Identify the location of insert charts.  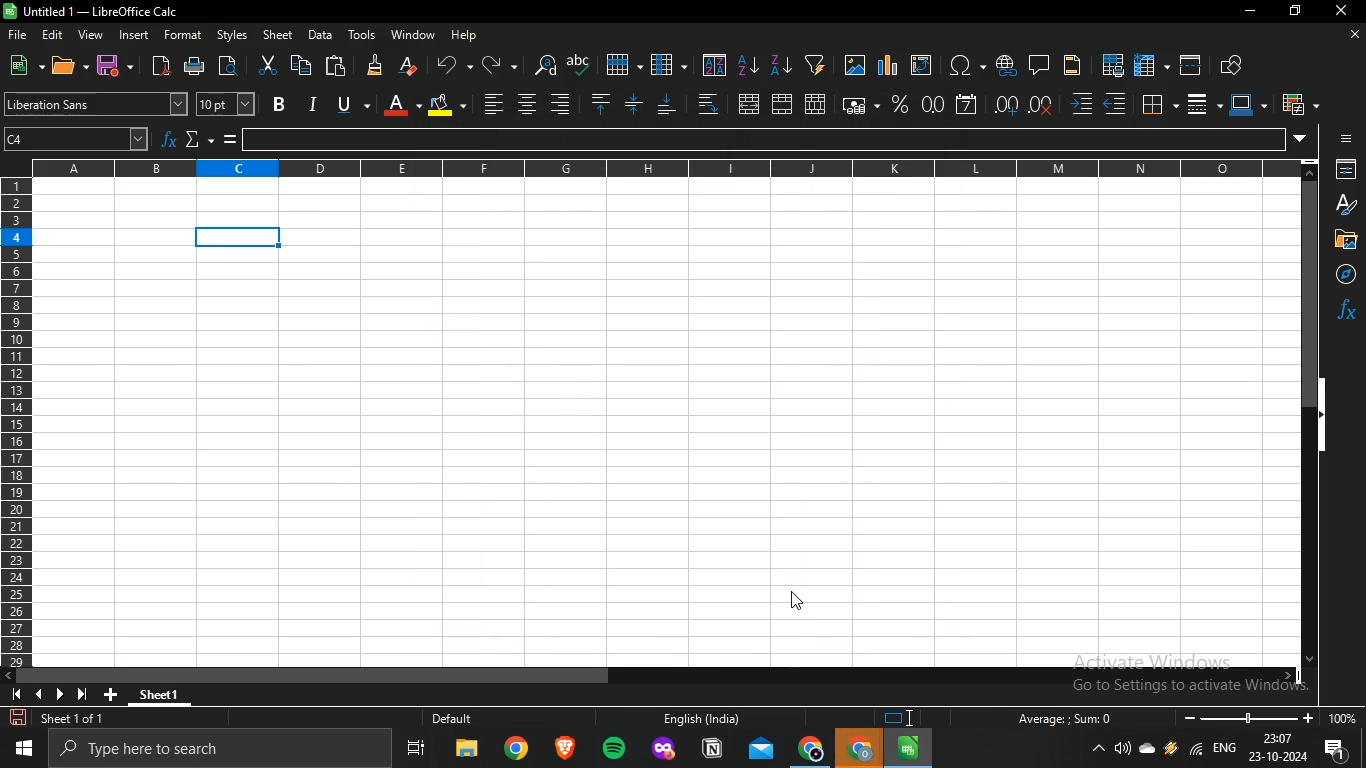
(888, 65).